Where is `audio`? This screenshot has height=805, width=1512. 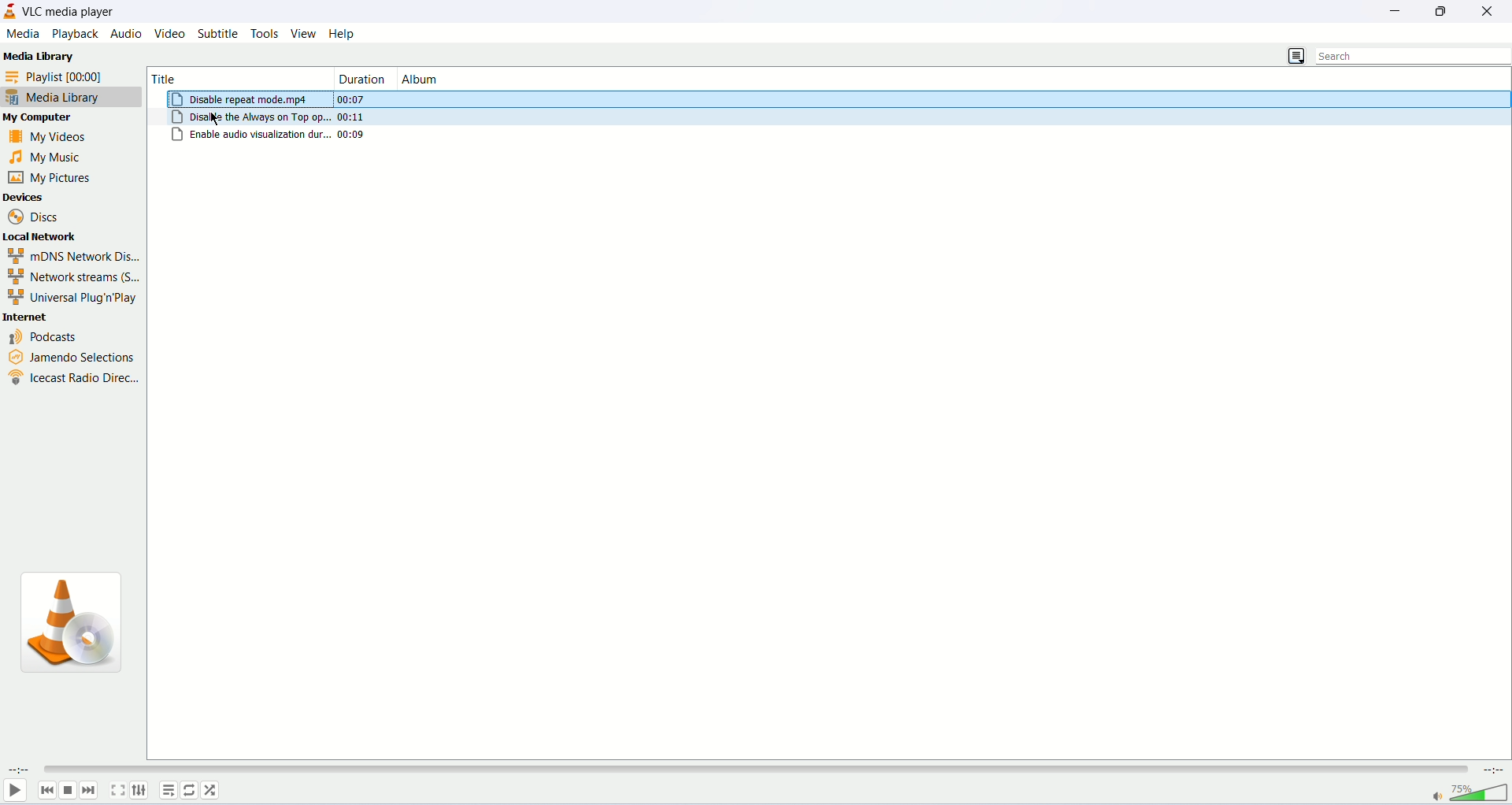 audio is located at coordinates (126, 33).